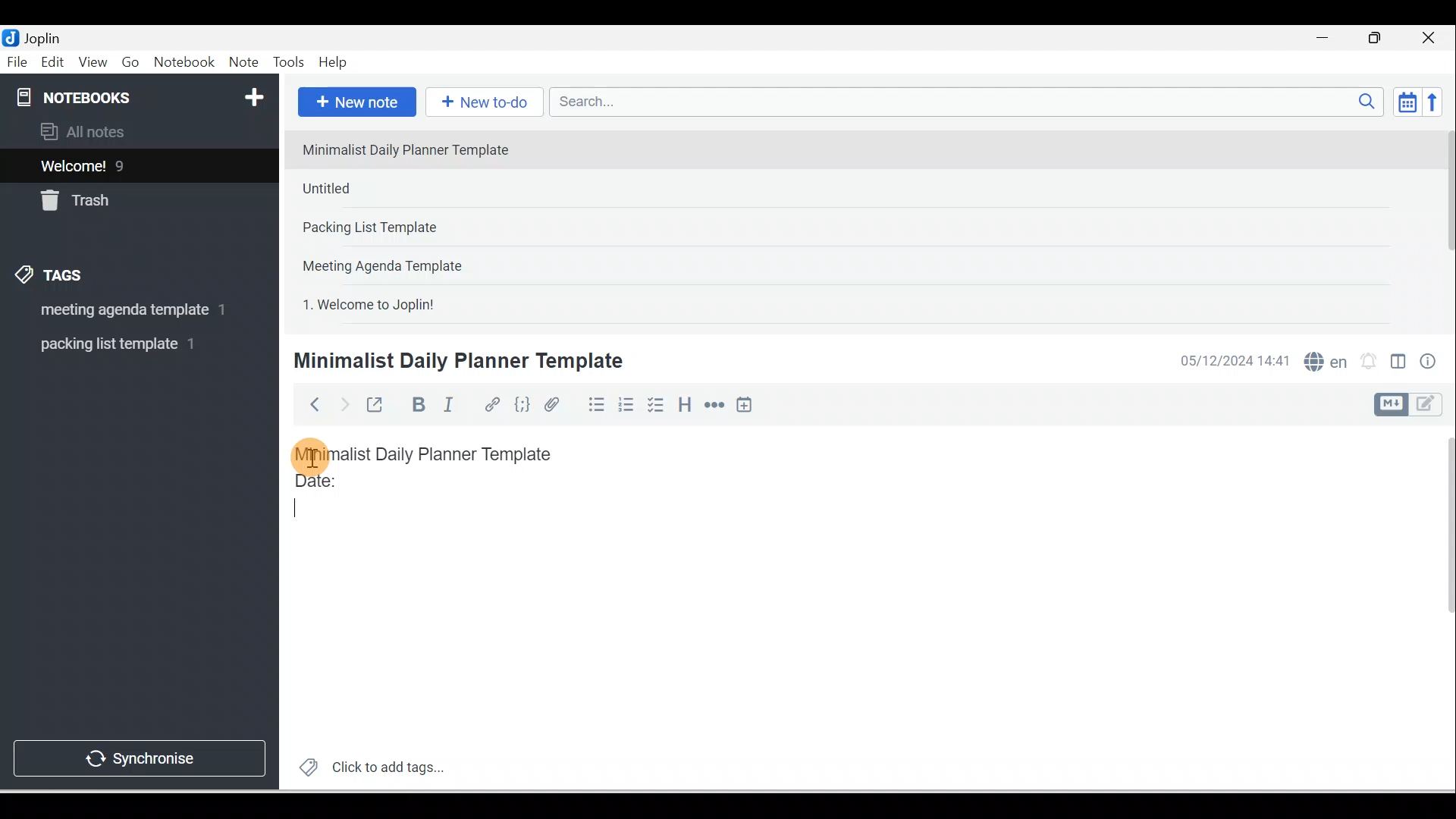 Image resolution: width=1456 pixels, height=819 pixels. What do you see at coordinates (684, 403) in the screenshot?
I see `Heading` at bounding box center [684, 403].